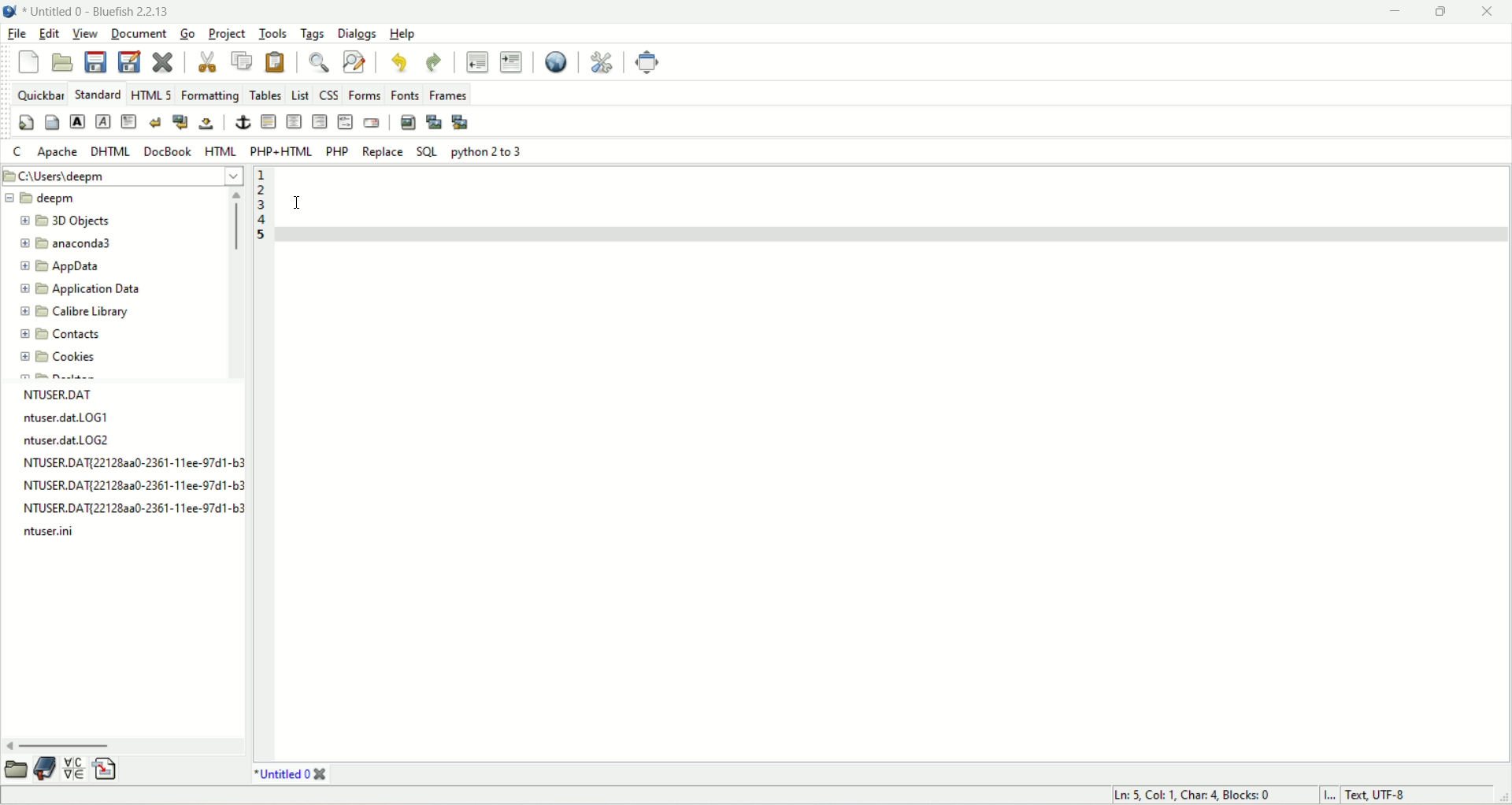 This screenshot has width=1512, height=805. I want to click on tables, so click(266, 95).